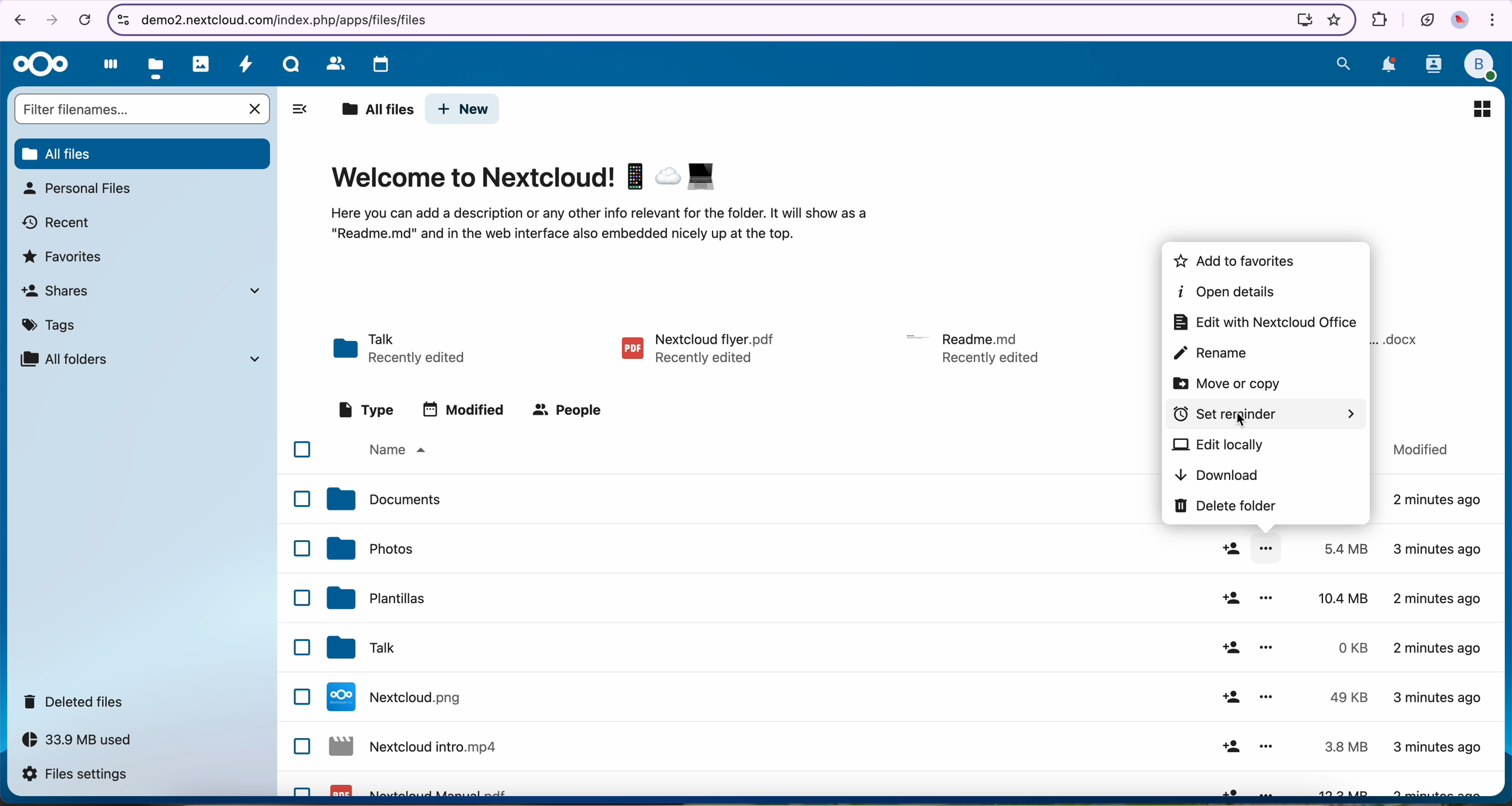 This screenshot has height=806, width=1512. I want to click on profile picture, so click(1462, 22).